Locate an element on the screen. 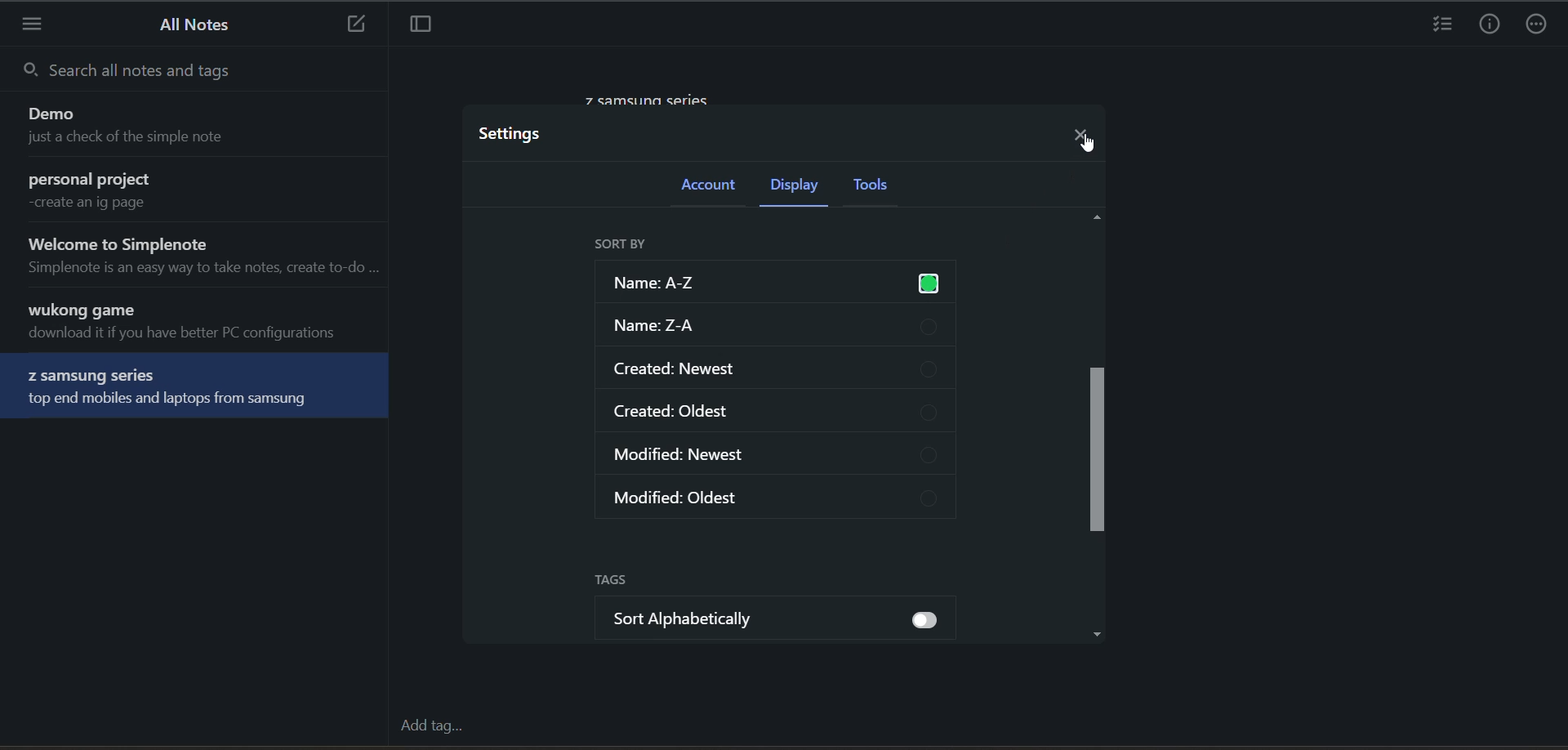 The width and height of the screenshot is (1568, 750). tools is located at coordinates (883, 186).